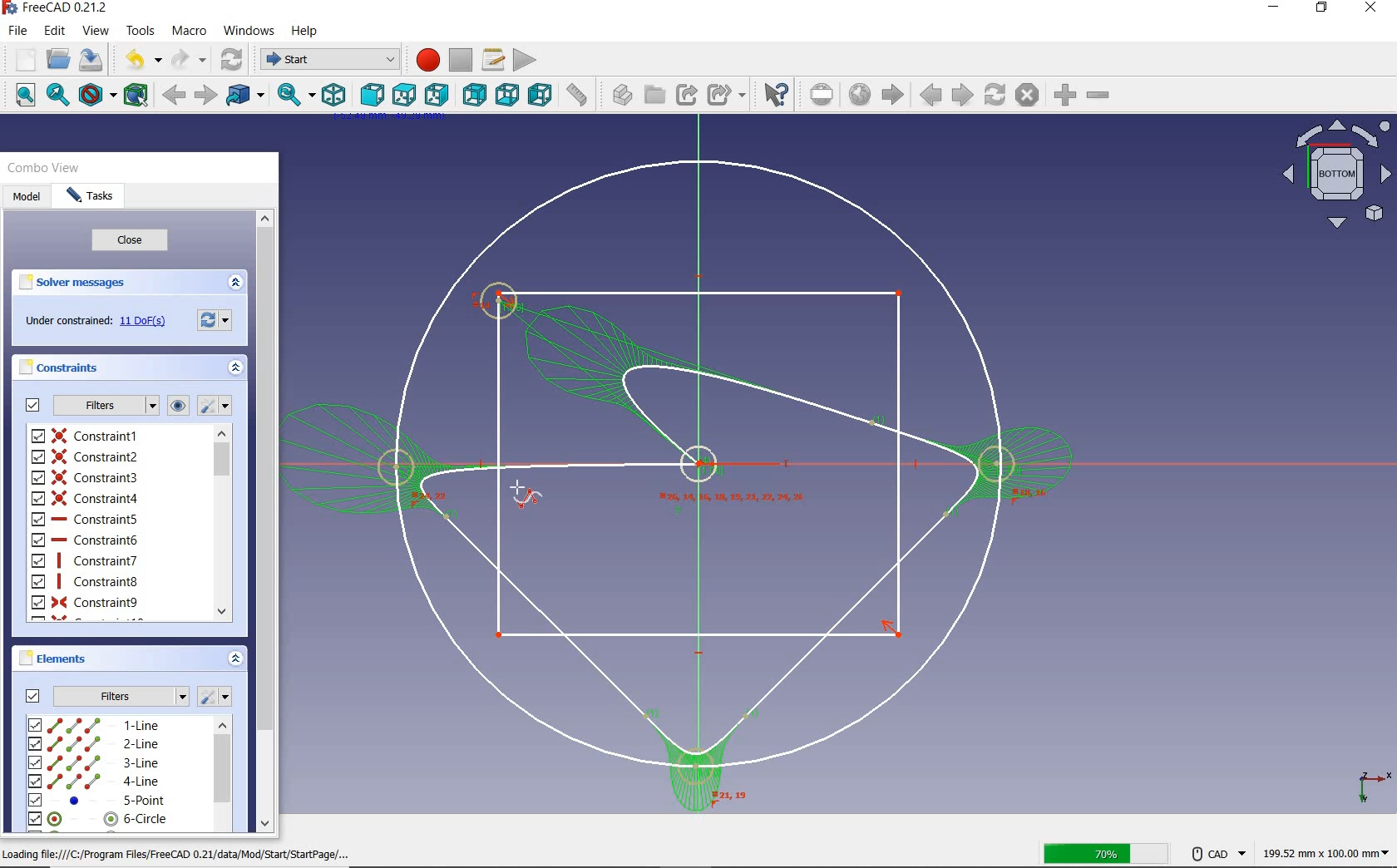 This screenshot has height=868, width=1397. What do you see at coordinates (57, 95) in the screenshot?
I see `fit selection` at bounding box center [57, 95].